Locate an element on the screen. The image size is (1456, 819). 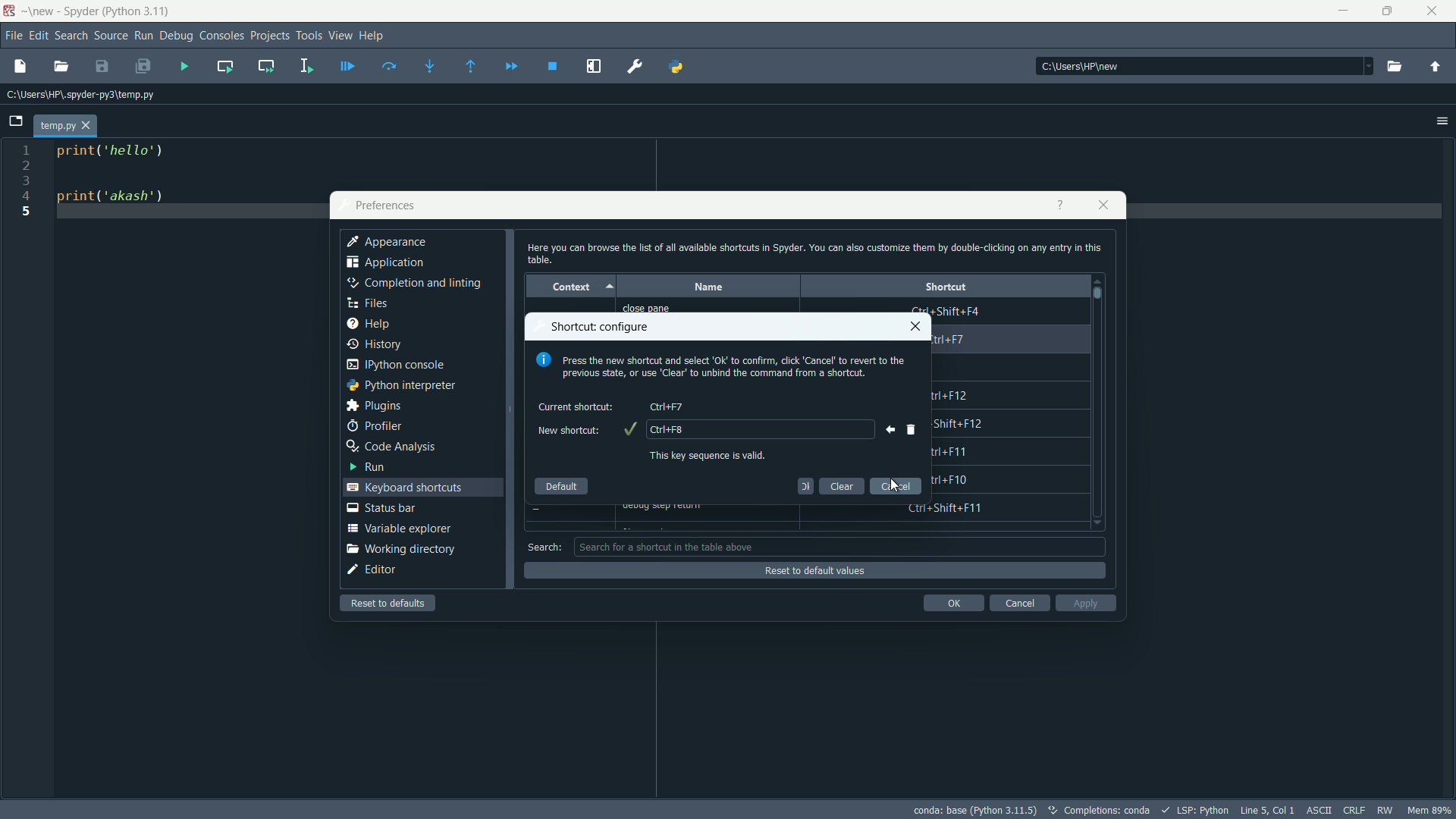
history is located at coordinates (375, 344).